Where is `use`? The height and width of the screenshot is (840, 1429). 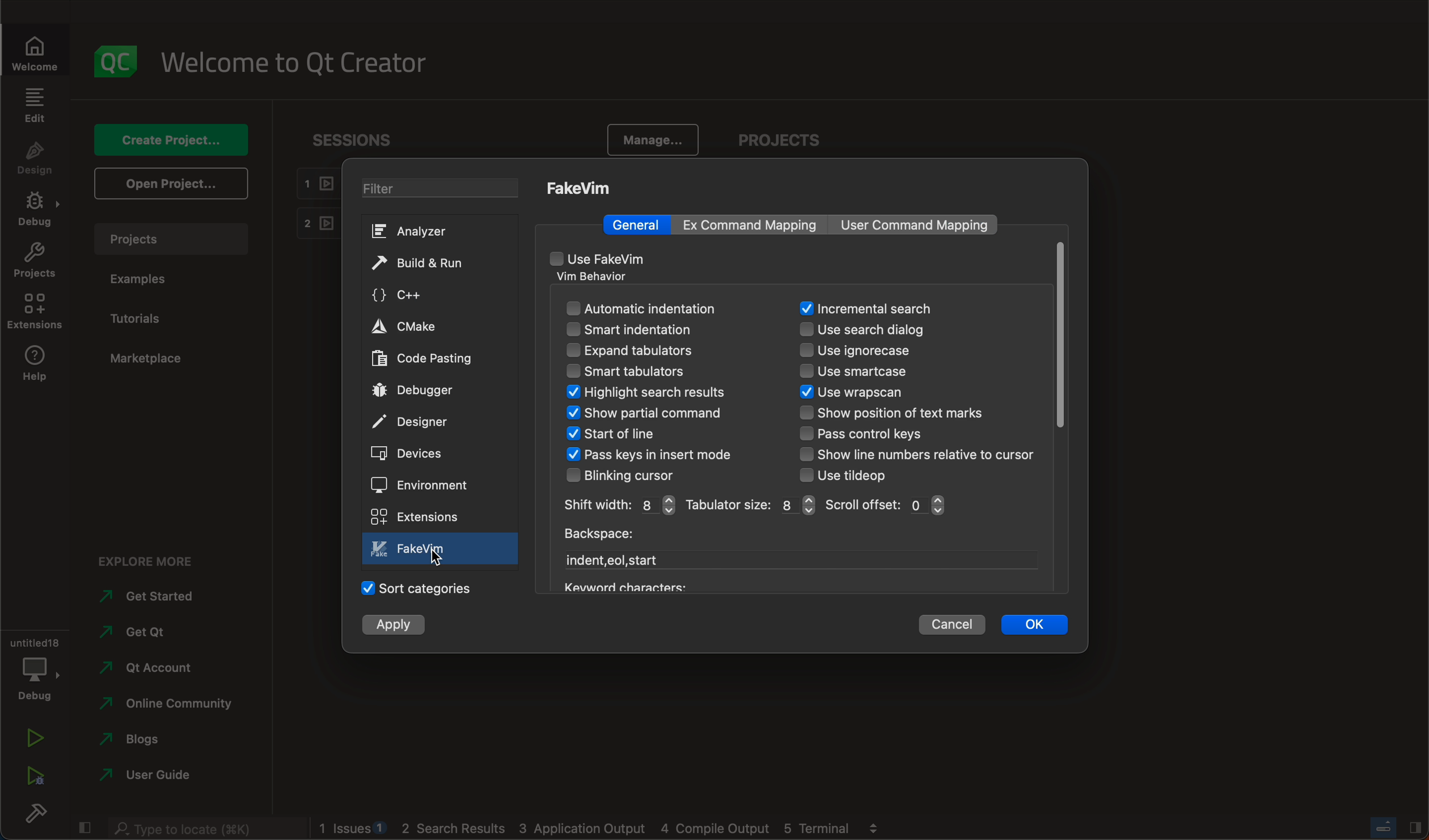 use is located at coordinates (596, 259).